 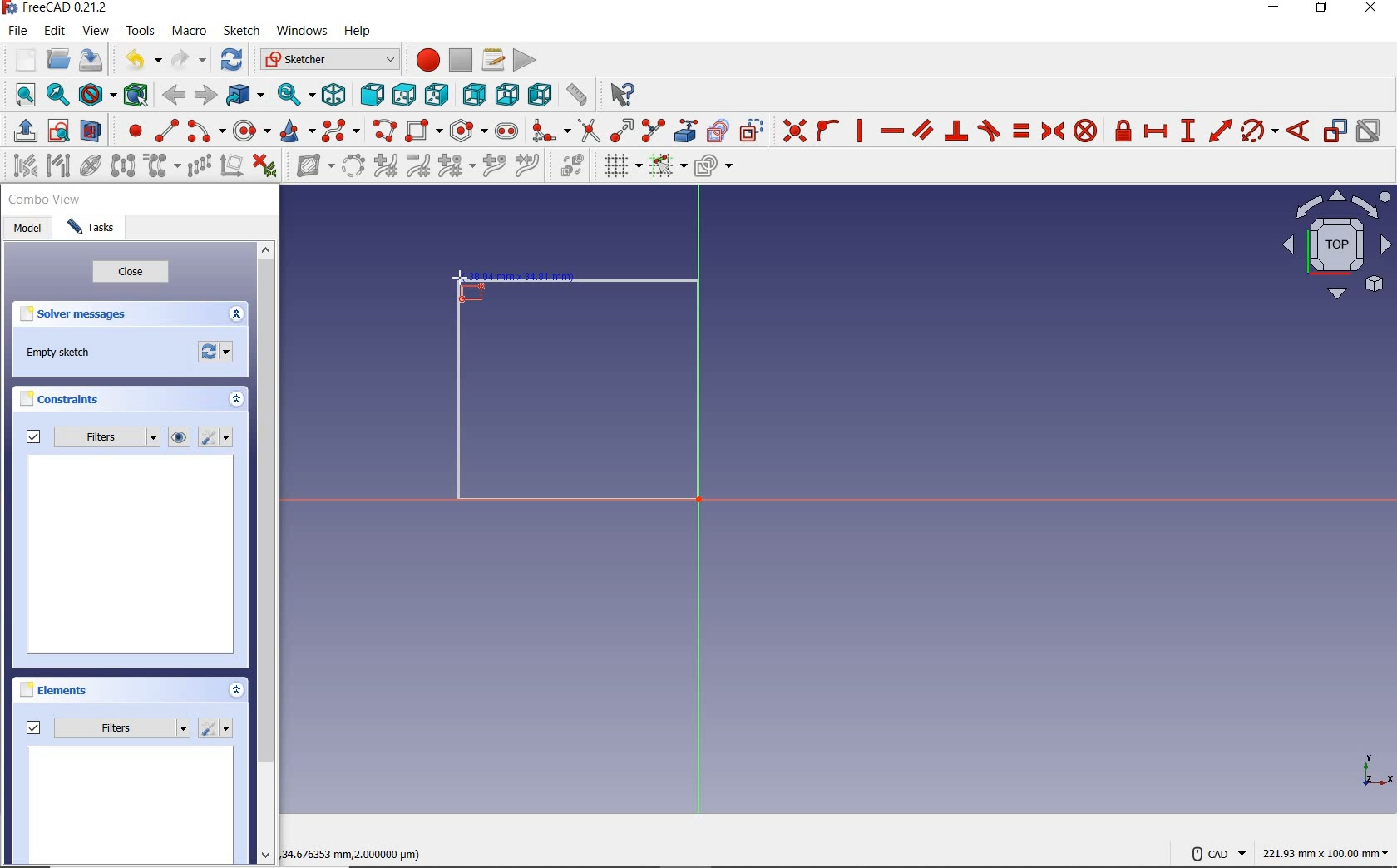 I want to click on constrain tangent, so click(x=989, y=131).